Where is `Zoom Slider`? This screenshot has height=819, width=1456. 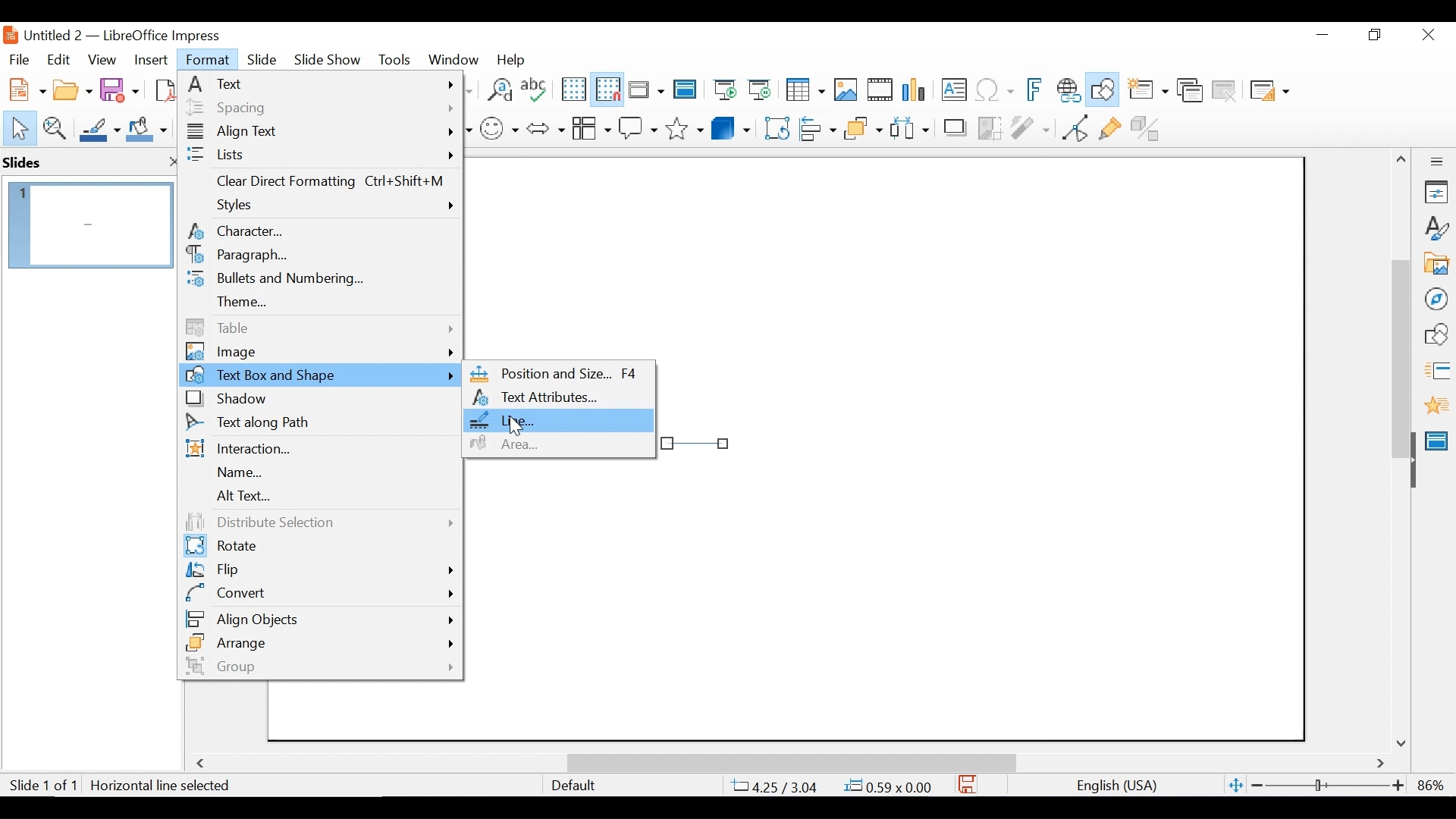 Zoom Slider is located at coordinates (1326, 786).